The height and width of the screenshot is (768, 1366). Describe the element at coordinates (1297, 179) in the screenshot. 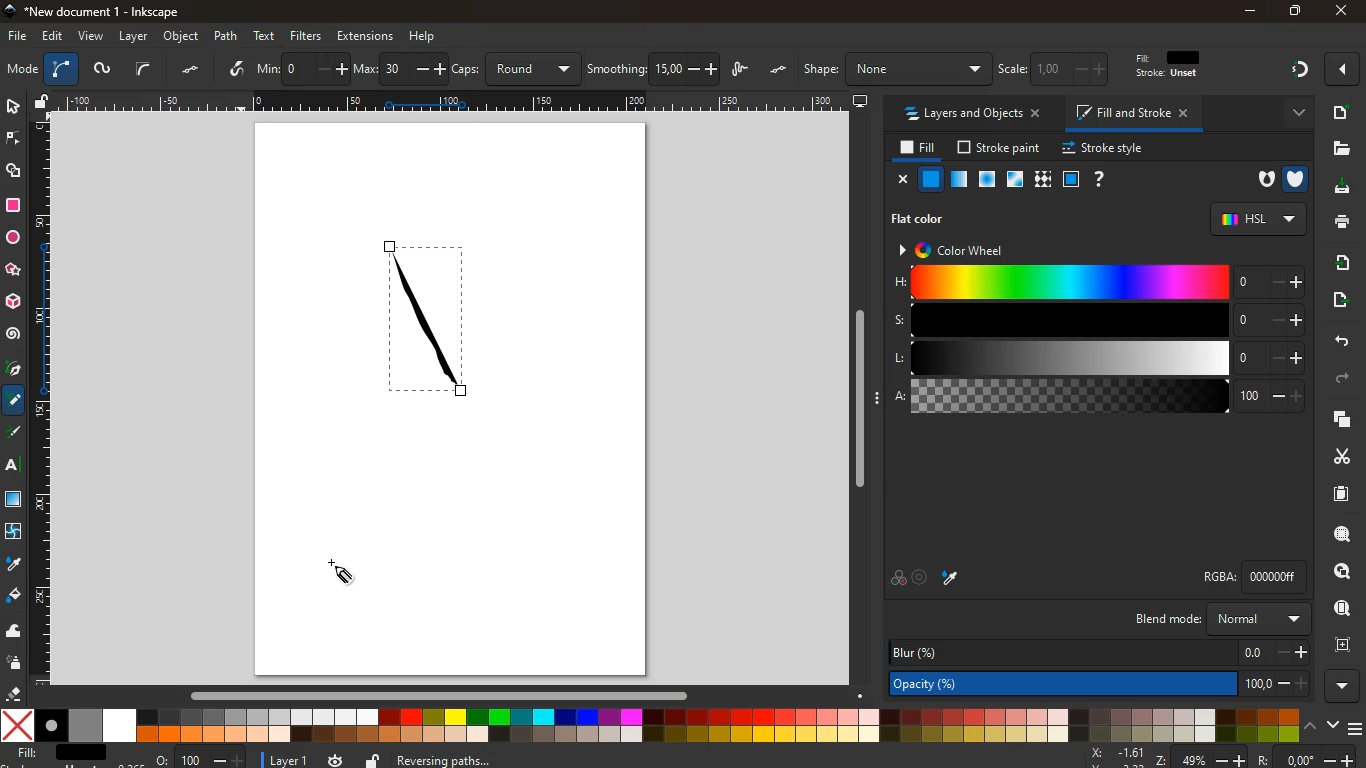

I see `shield` at that location.